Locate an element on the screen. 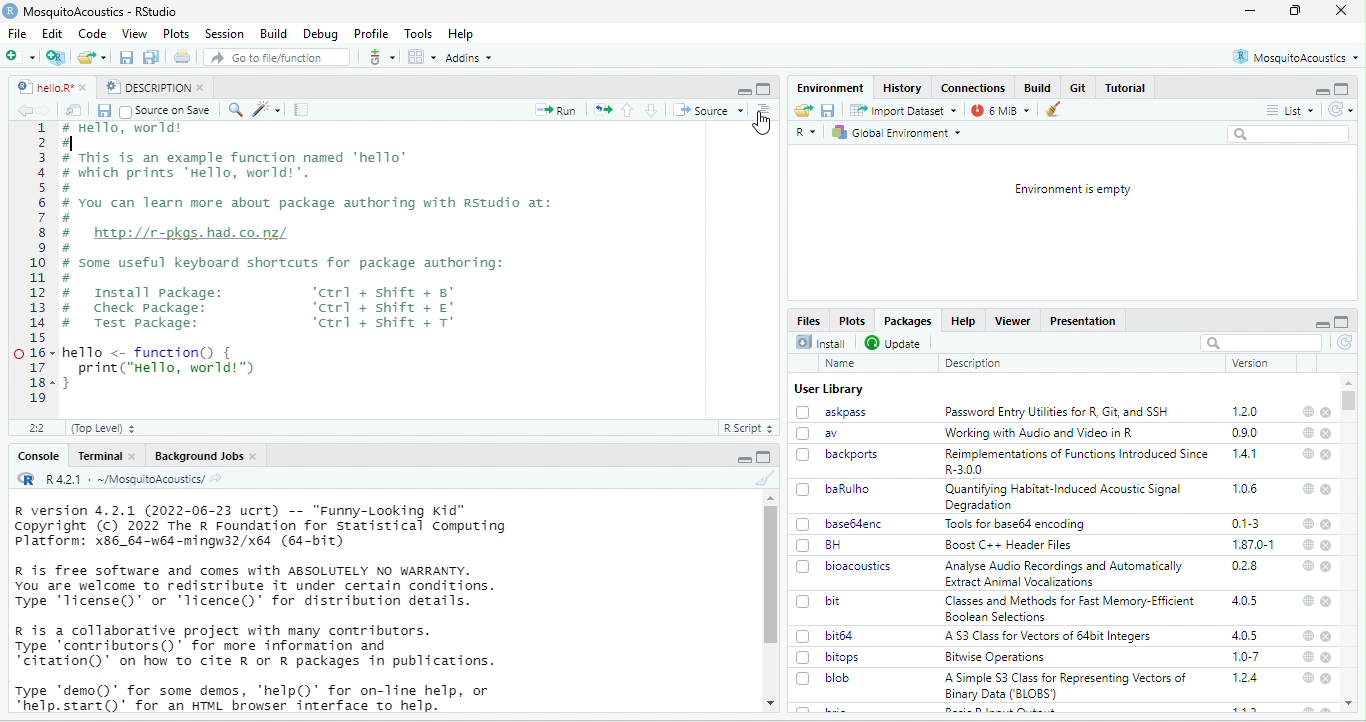  DESCRIPTION is located at coordinates (154, 87).